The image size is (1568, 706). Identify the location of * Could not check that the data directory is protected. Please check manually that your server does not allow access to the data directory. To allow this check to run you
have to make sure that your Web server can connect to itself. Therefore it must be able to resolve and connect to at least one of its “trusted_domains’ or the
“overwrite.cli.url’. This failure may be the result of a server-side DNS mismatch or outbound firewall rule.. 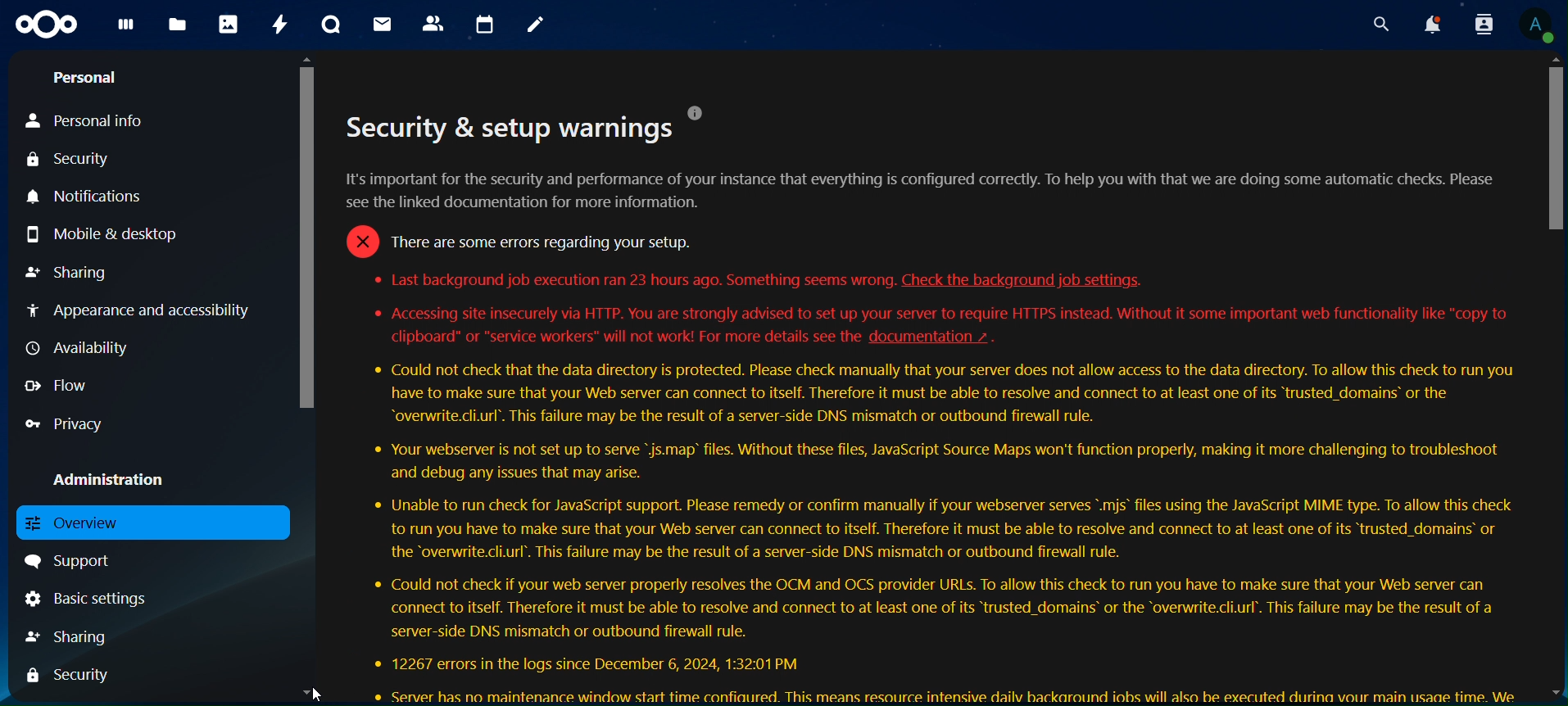
(942, 395).